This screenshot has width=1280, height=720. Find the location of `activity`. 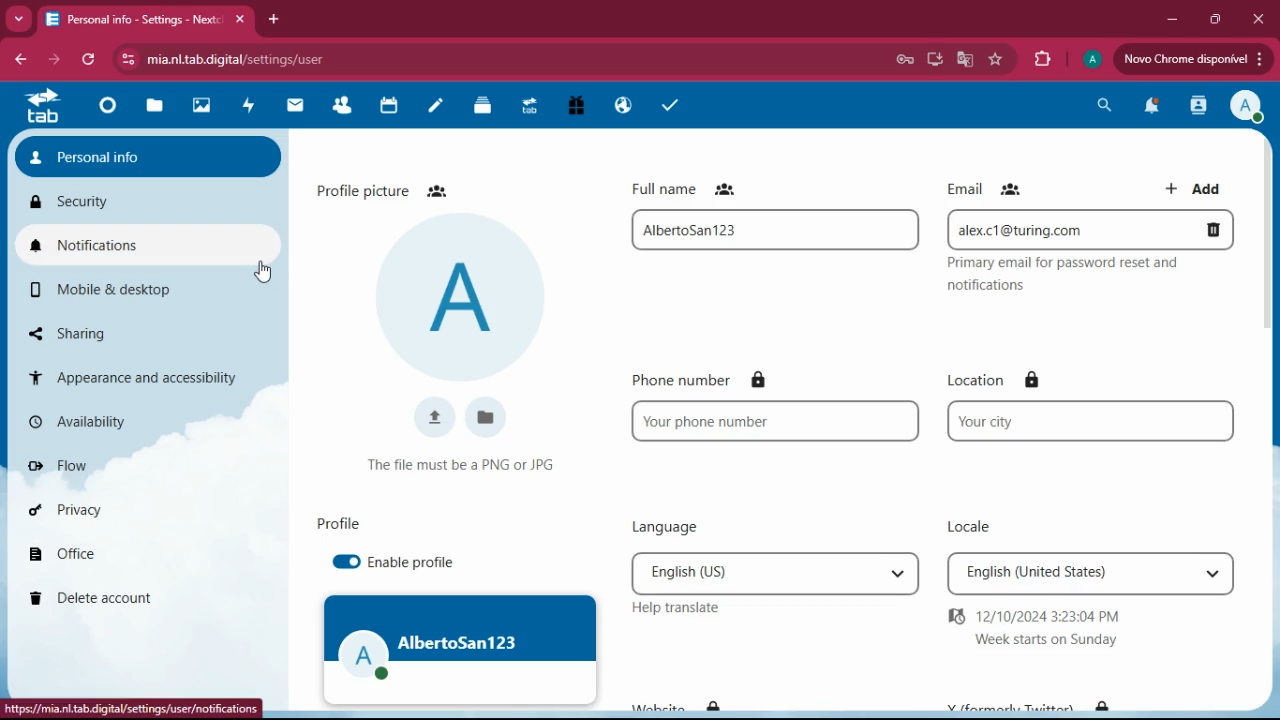

activity is located at coordinates (1195, 106).